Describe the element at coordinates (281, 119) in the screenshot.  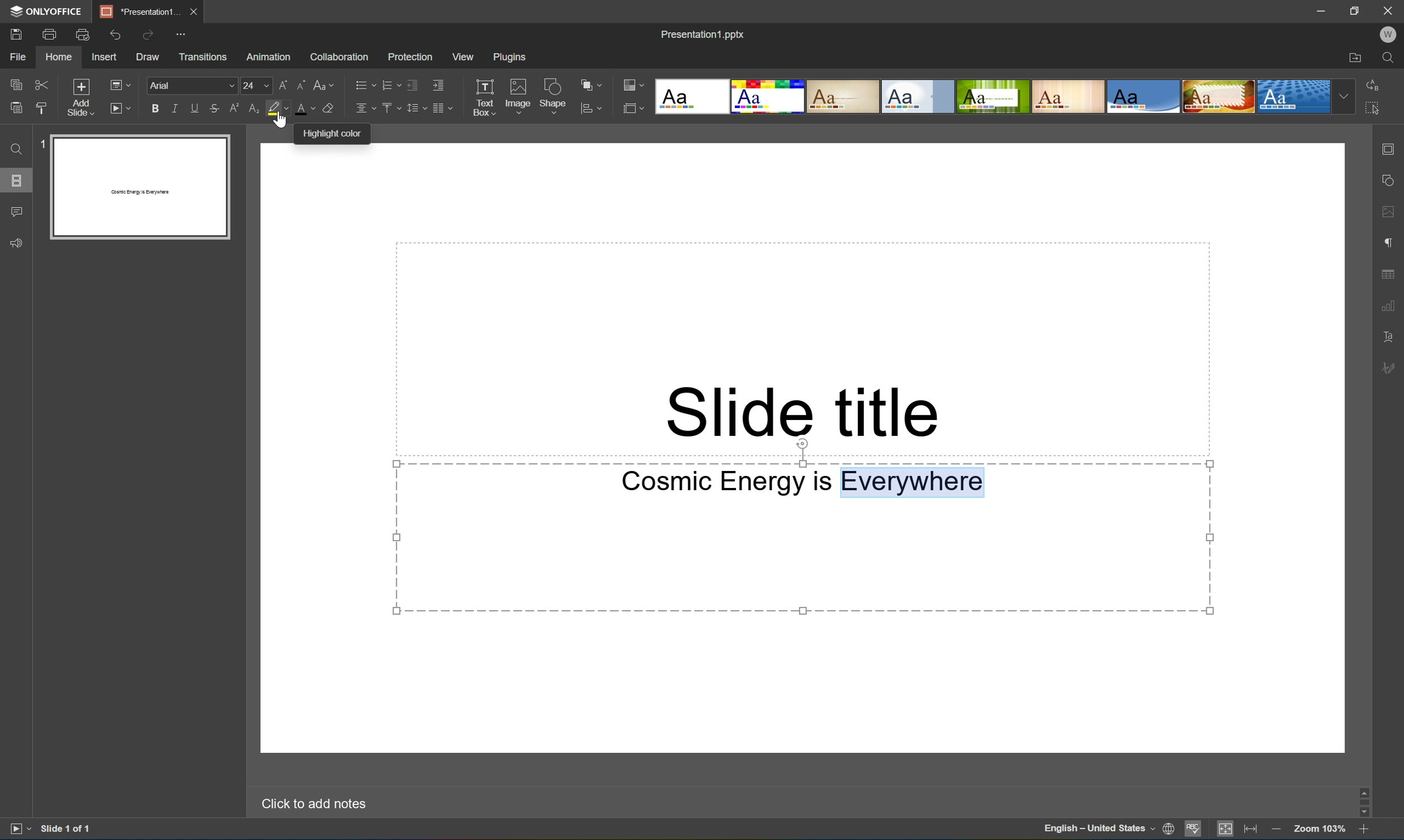
I see `Cursor` at that location.